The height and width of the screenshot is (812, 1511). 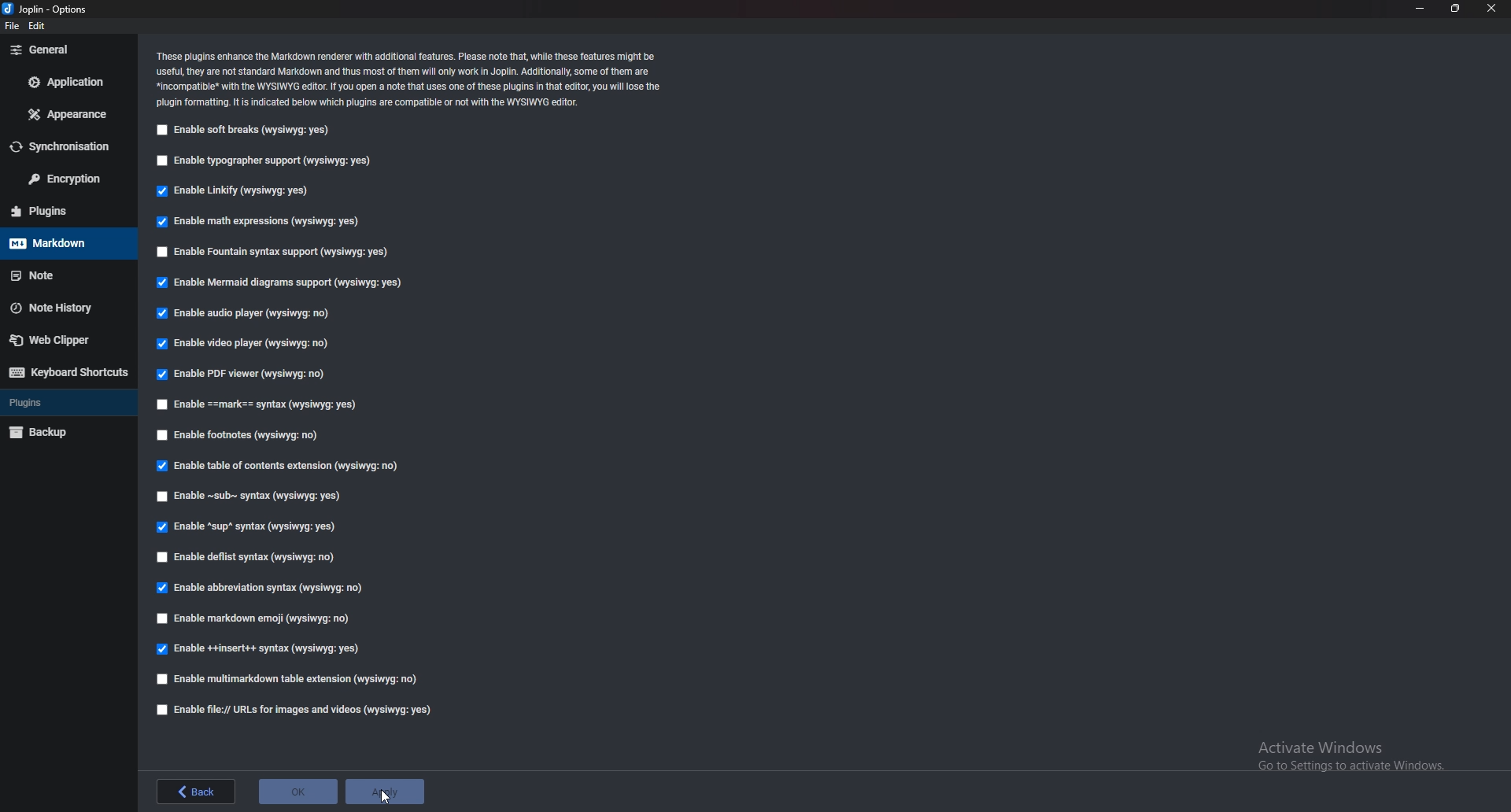 What do you see at coordinates (259, 618) in the screenshot?
I see `enable Markdown Emoji` at bounding box center [259, 618].